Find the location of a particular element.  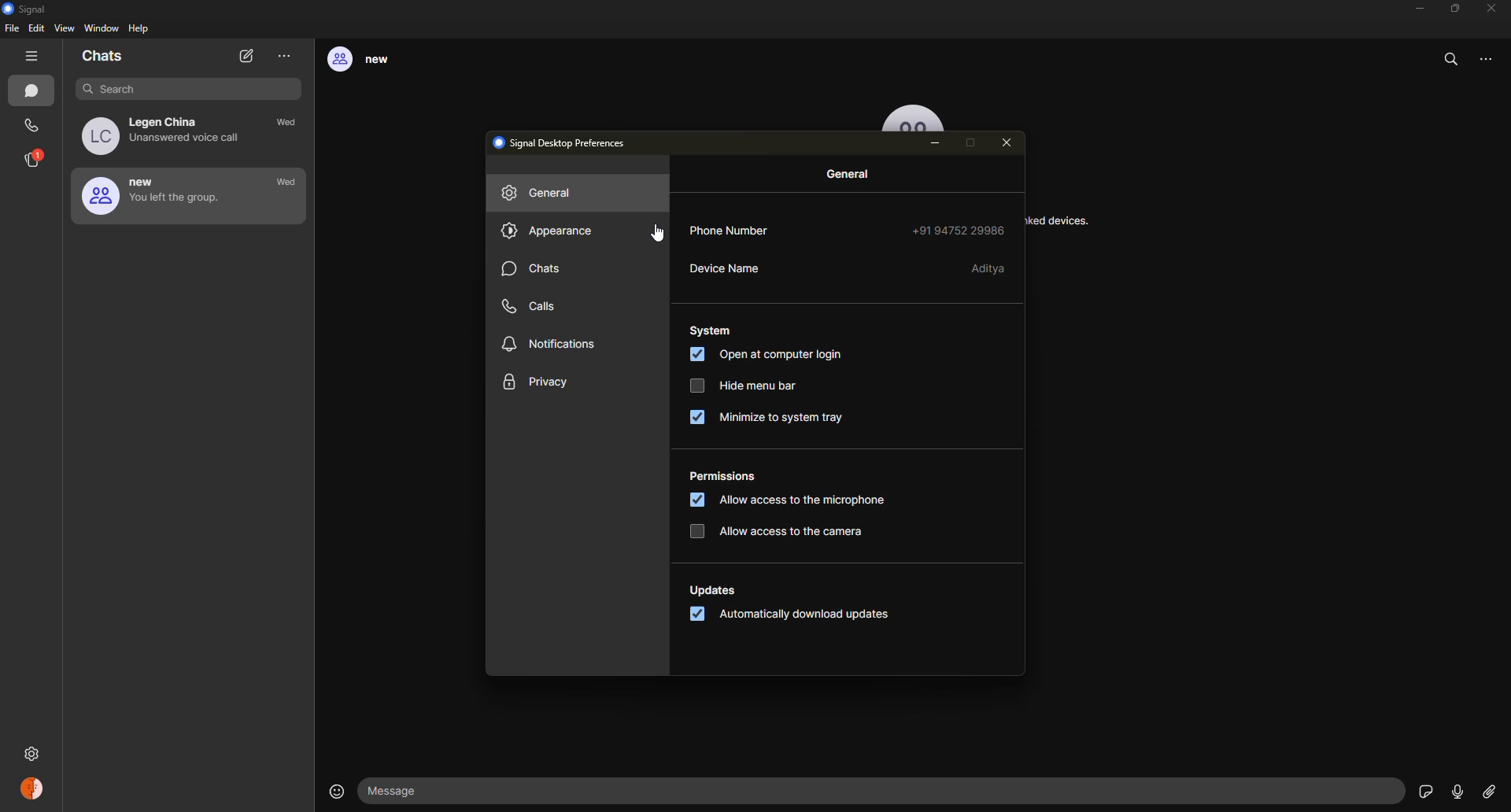

minimize is located at coordinates (938, 145).